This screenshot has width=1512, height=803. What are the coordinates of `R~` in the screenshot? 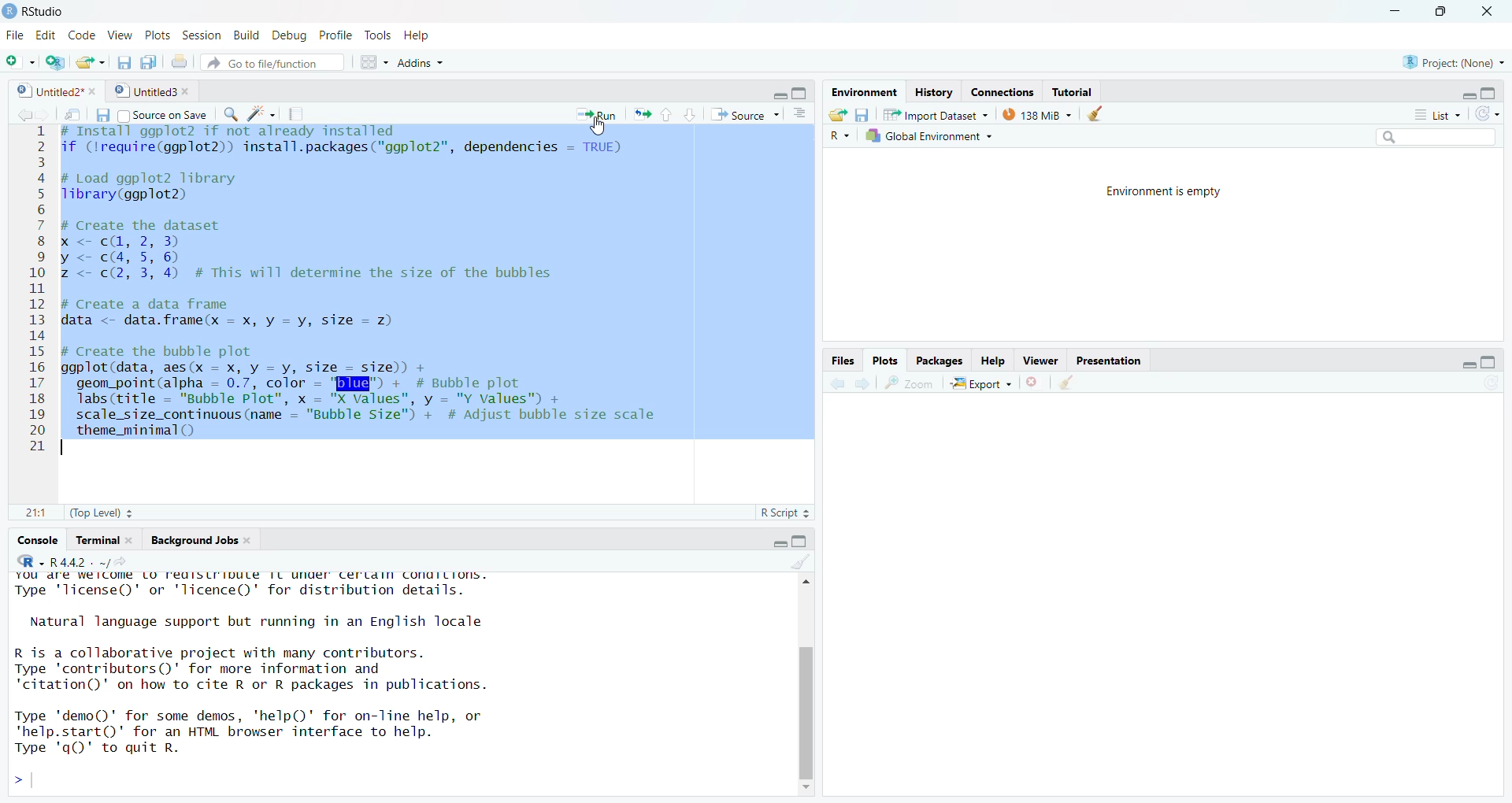 It's located at (839, 136).